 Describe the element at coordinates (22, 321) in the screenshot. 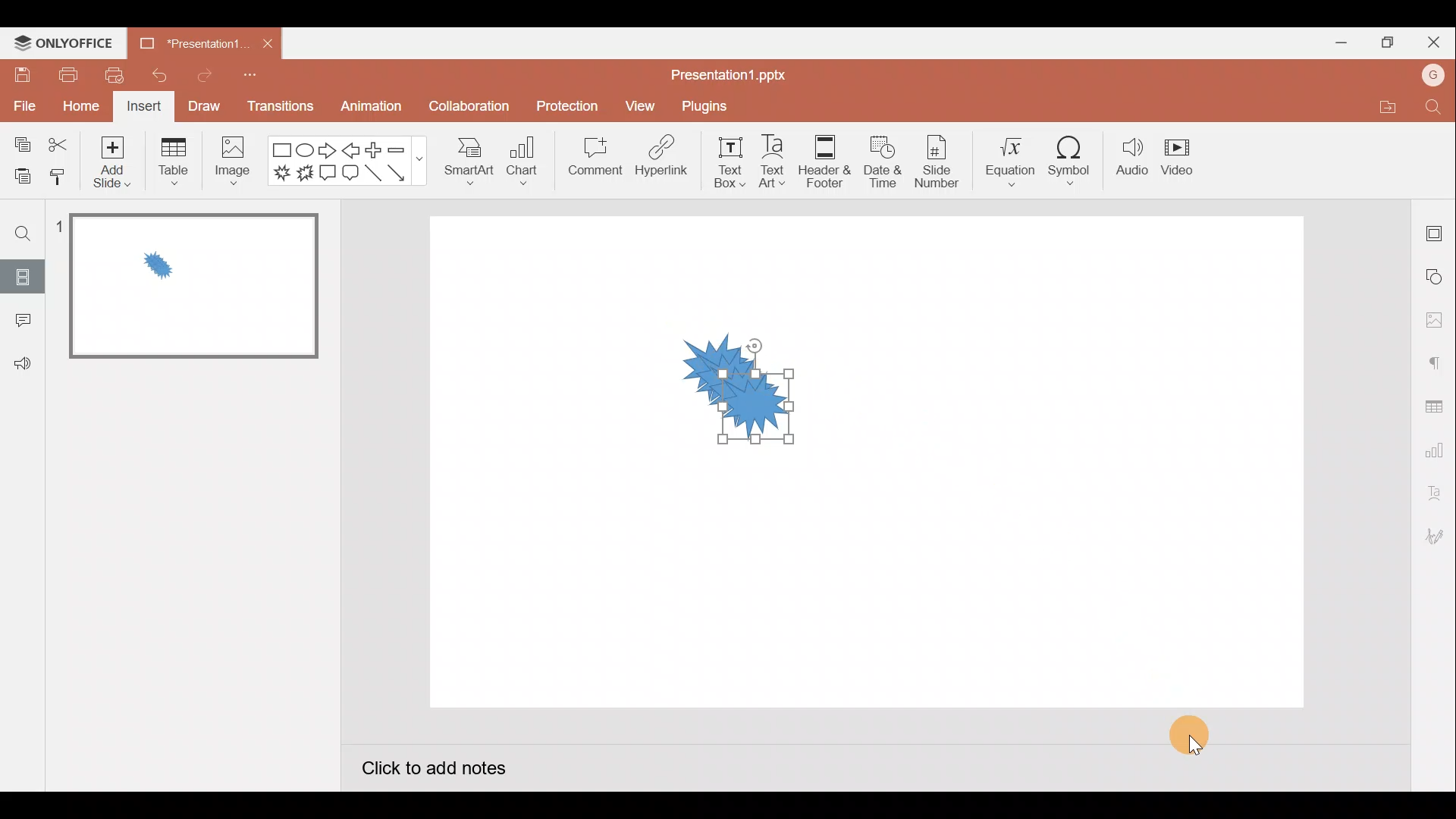

I see `Comment` at that location.